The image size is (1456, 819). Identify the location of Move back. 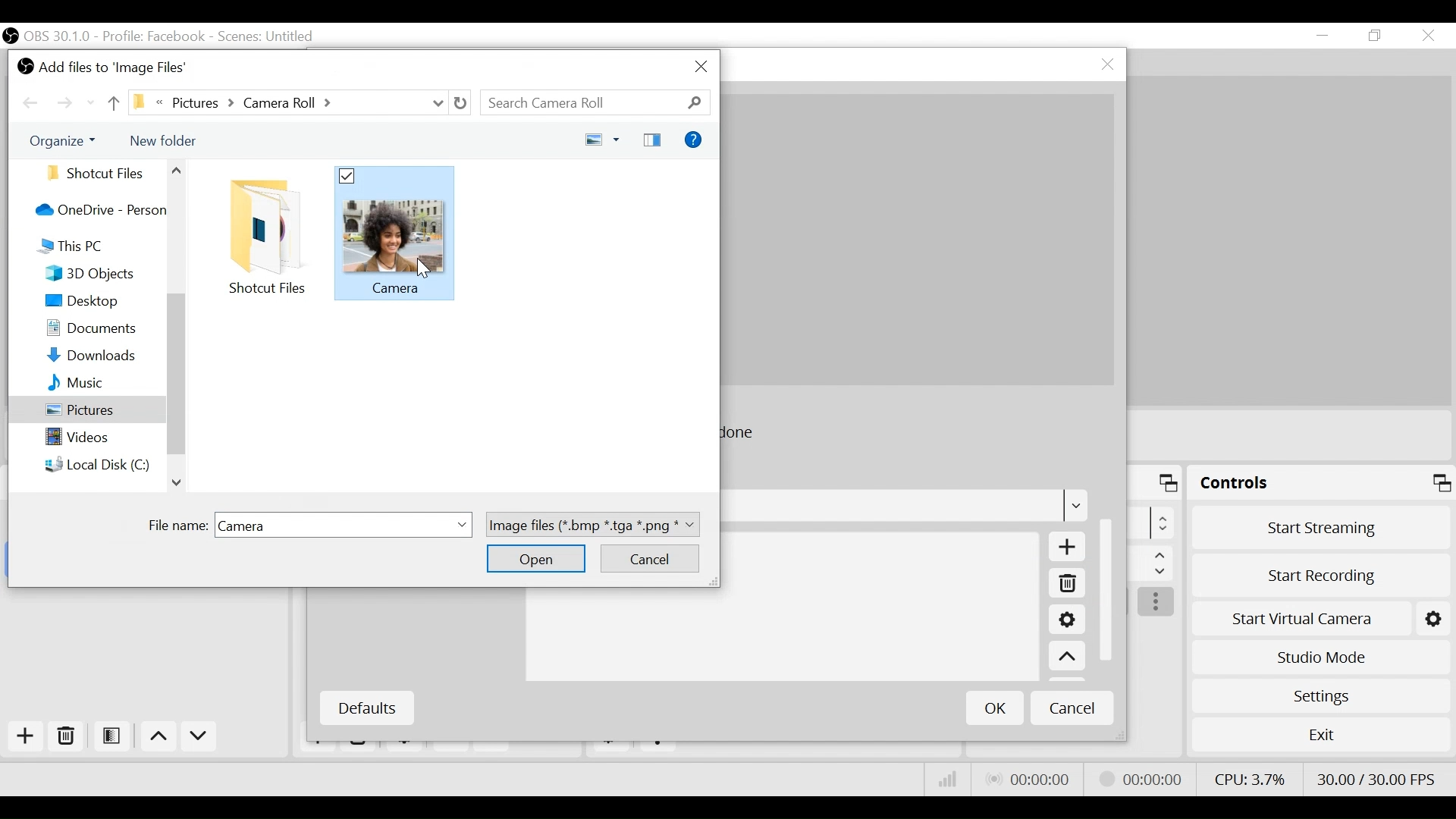
(33, 104).